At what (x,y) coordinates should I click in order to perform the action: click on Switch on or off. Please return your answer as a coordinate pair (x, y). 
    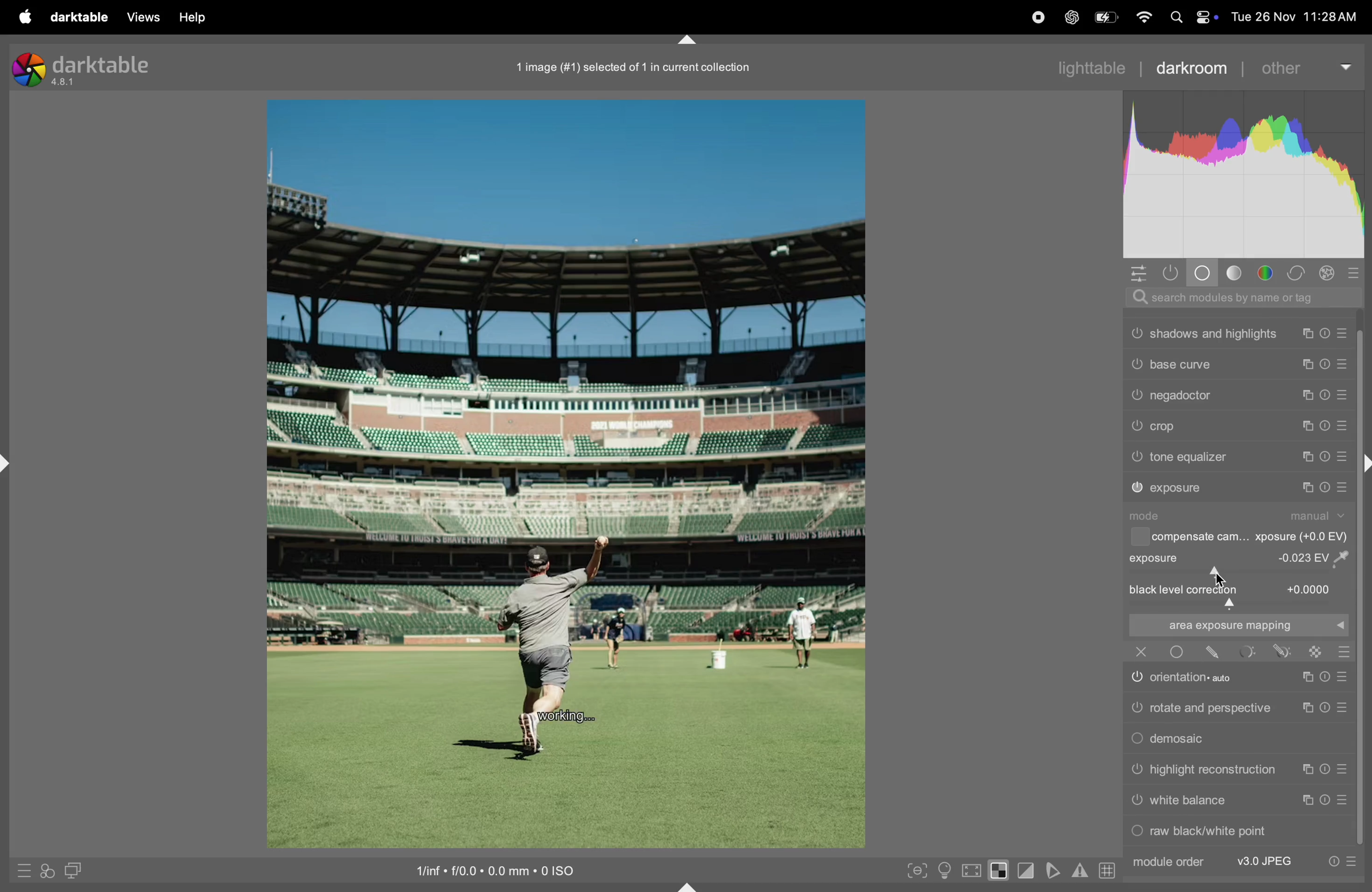
    Looking at the image, I should click on (1137, 488).